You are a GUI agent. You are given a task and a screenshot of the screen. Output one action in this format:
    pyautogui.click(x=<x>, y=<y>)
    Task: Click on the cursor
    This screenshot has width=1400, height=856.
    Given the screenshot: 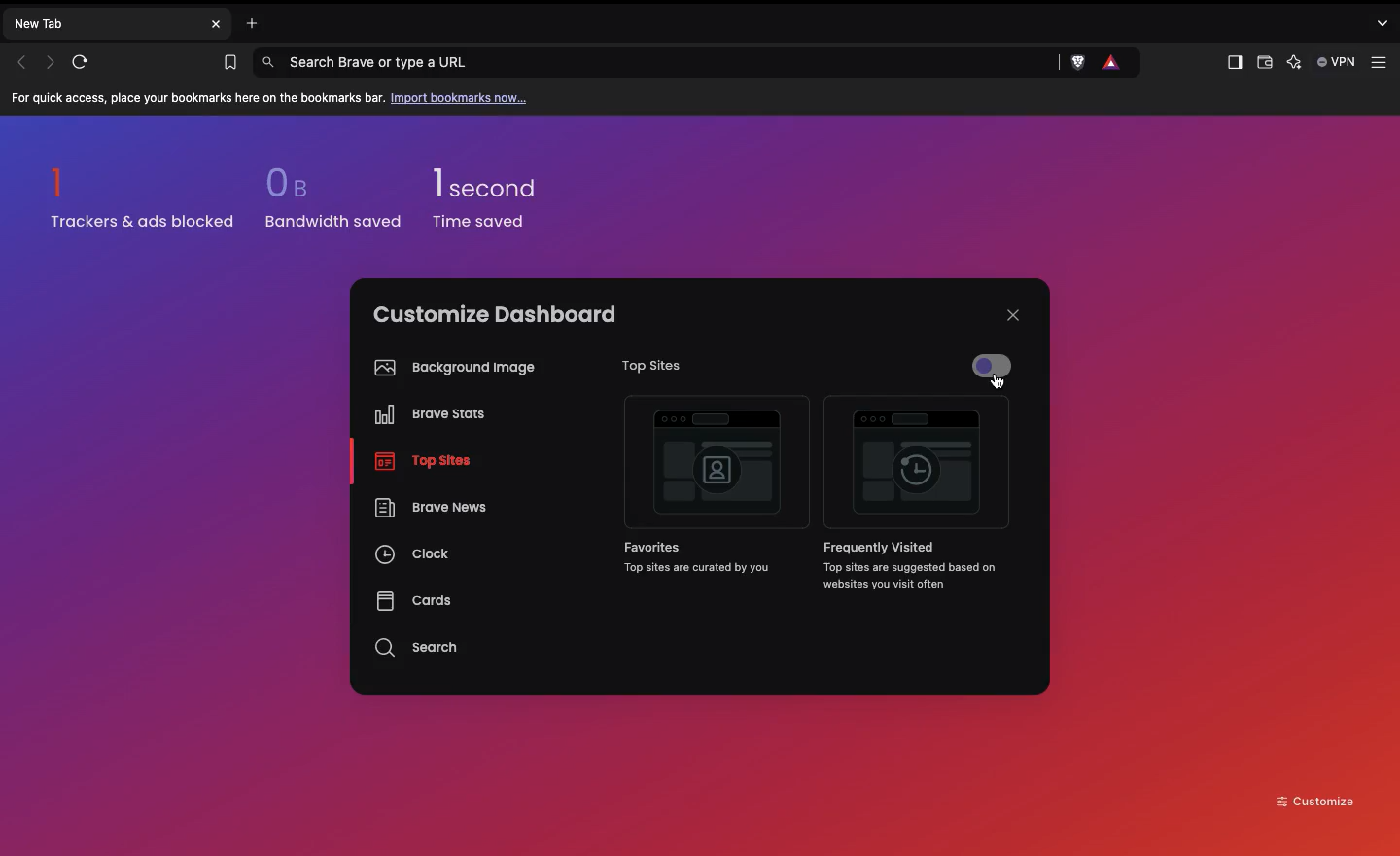 What is the action you would take?
    pyautogui.click(x=999, y=384)
    